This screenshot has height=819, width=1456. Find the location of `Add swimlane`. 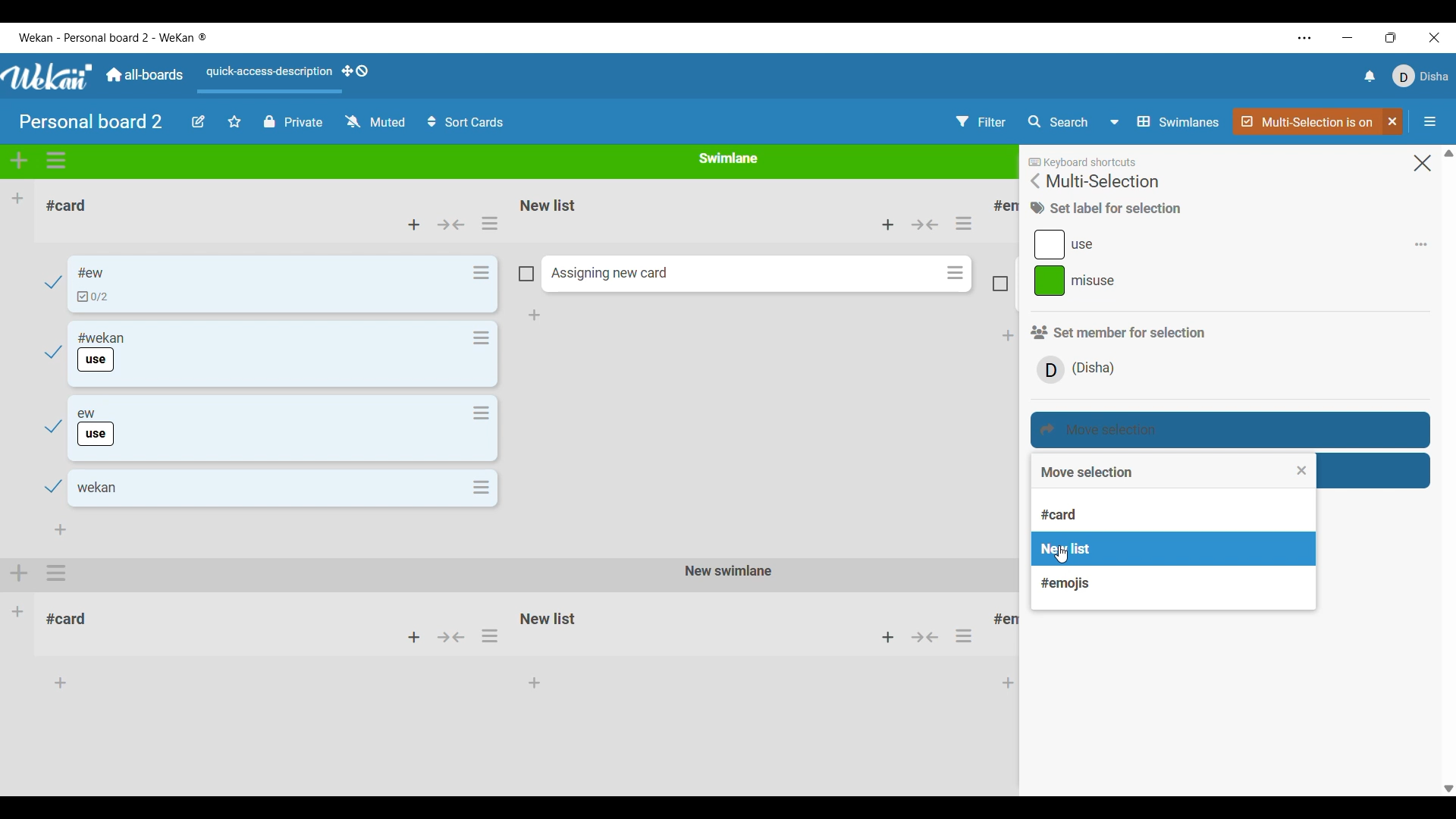

Add swimlane is located at coordinates (19, 161).